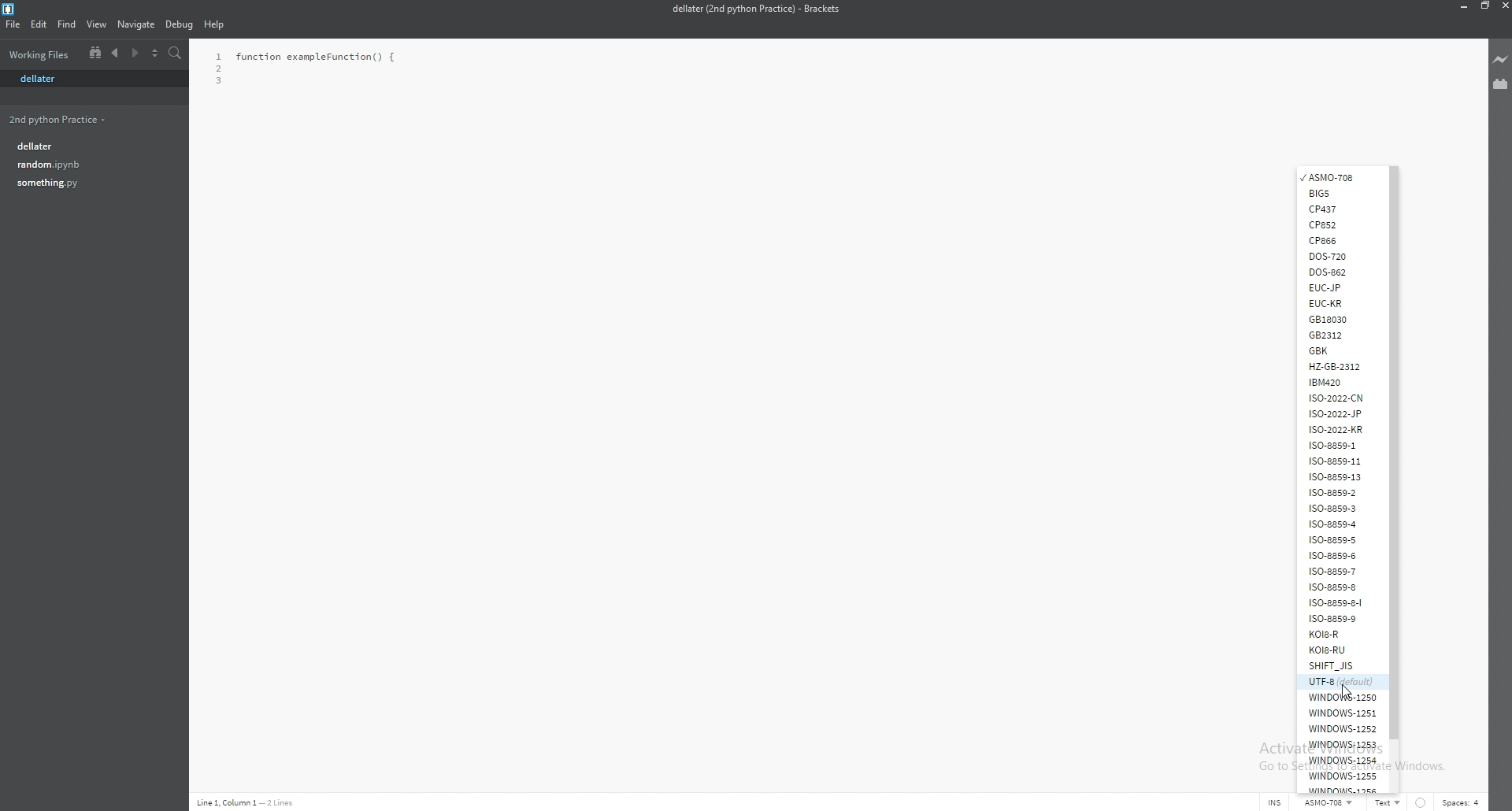  What do you see at coordinates (316, 57) in the screenshot?
I see `function exampleFunction() {` at bounding box center [316, 57].